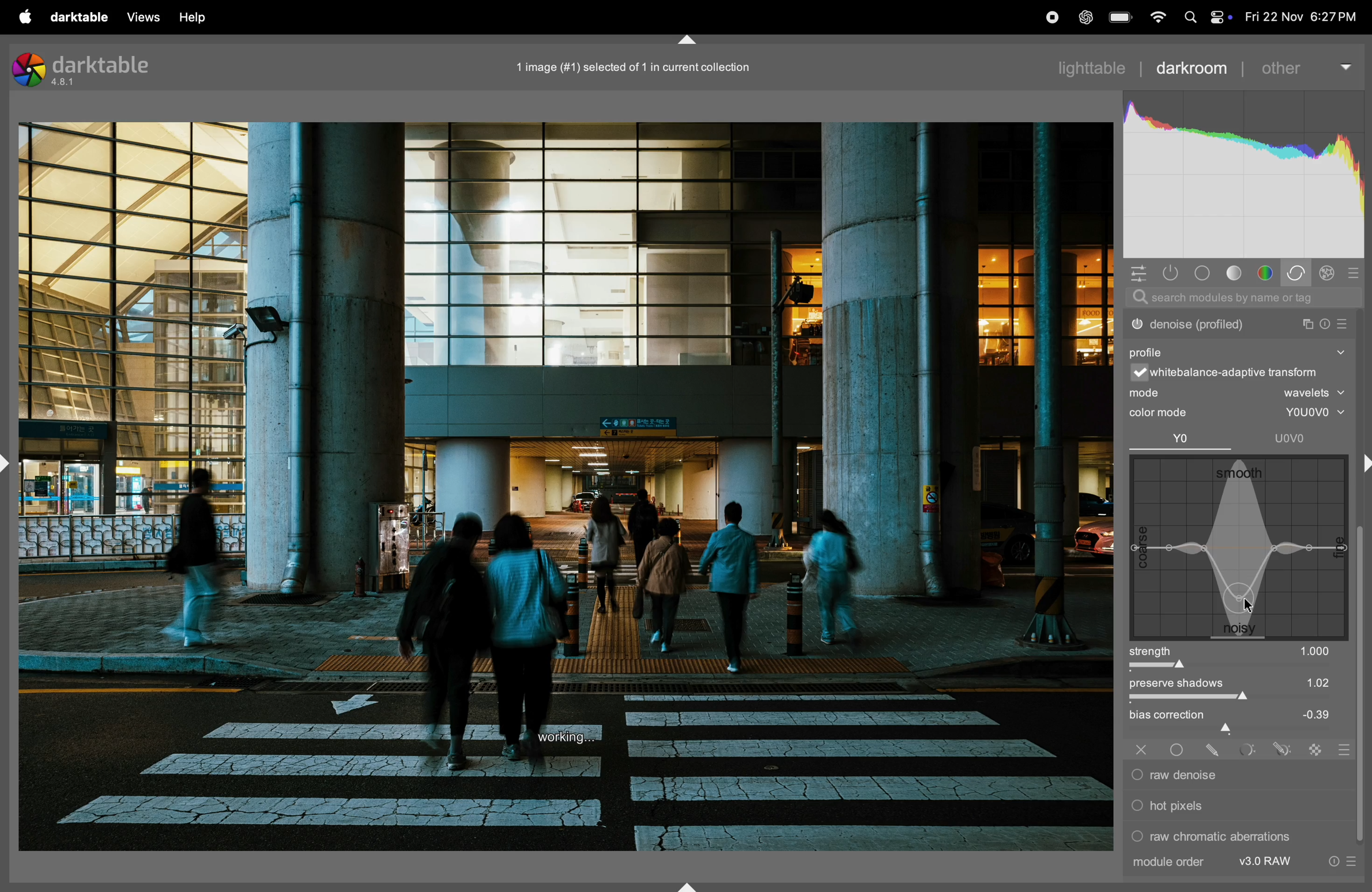 The width and height of the screenshot is (1372, 892). I want to click on tone, so click(1236, 273).